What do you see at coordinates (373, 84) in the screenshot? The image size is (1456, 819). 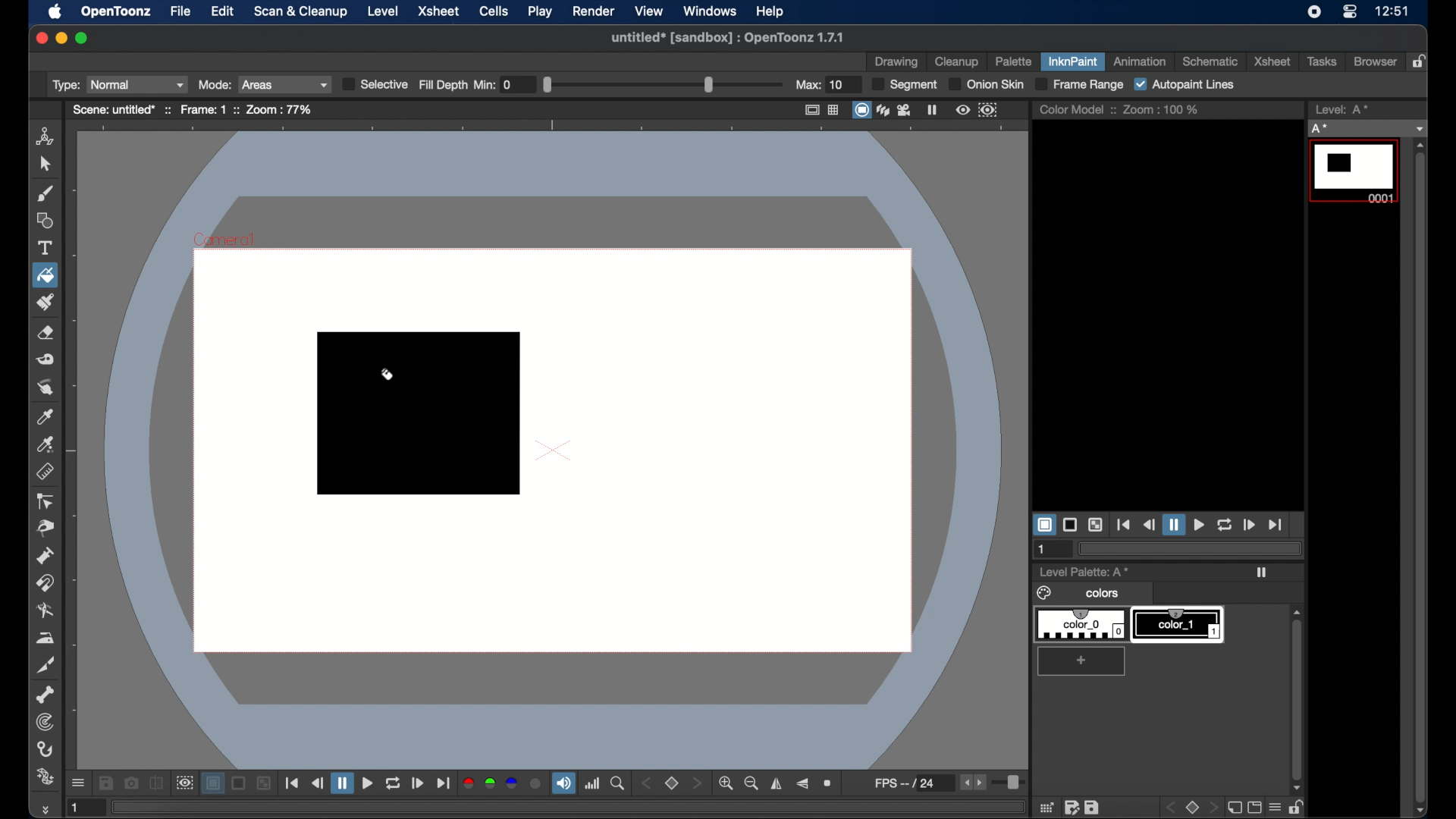 I see `selective` at bounding box center [373, 84].